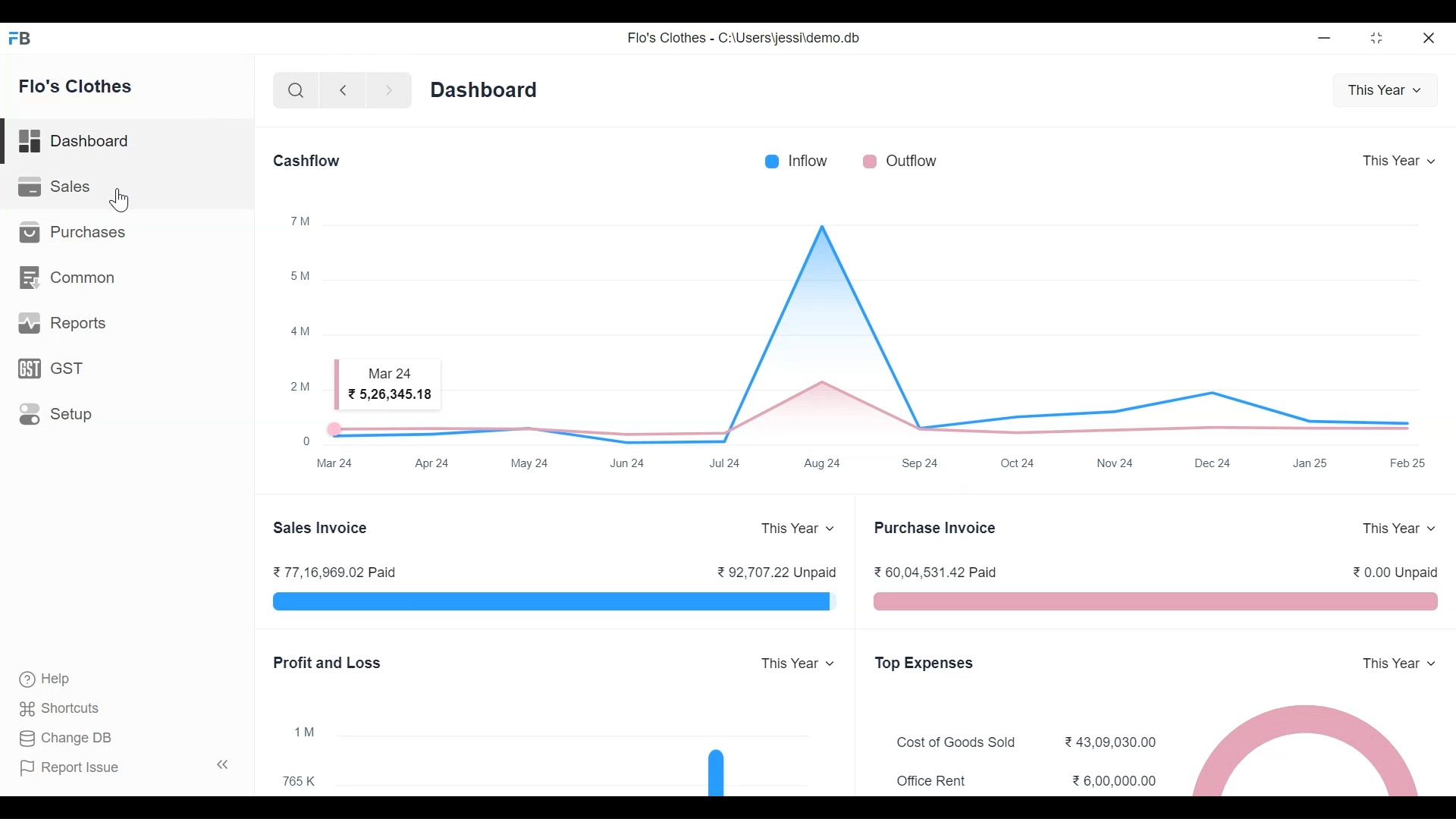 This screenshot has height=819, width=1456. I want to click on Aug 24, so click(822, 462).